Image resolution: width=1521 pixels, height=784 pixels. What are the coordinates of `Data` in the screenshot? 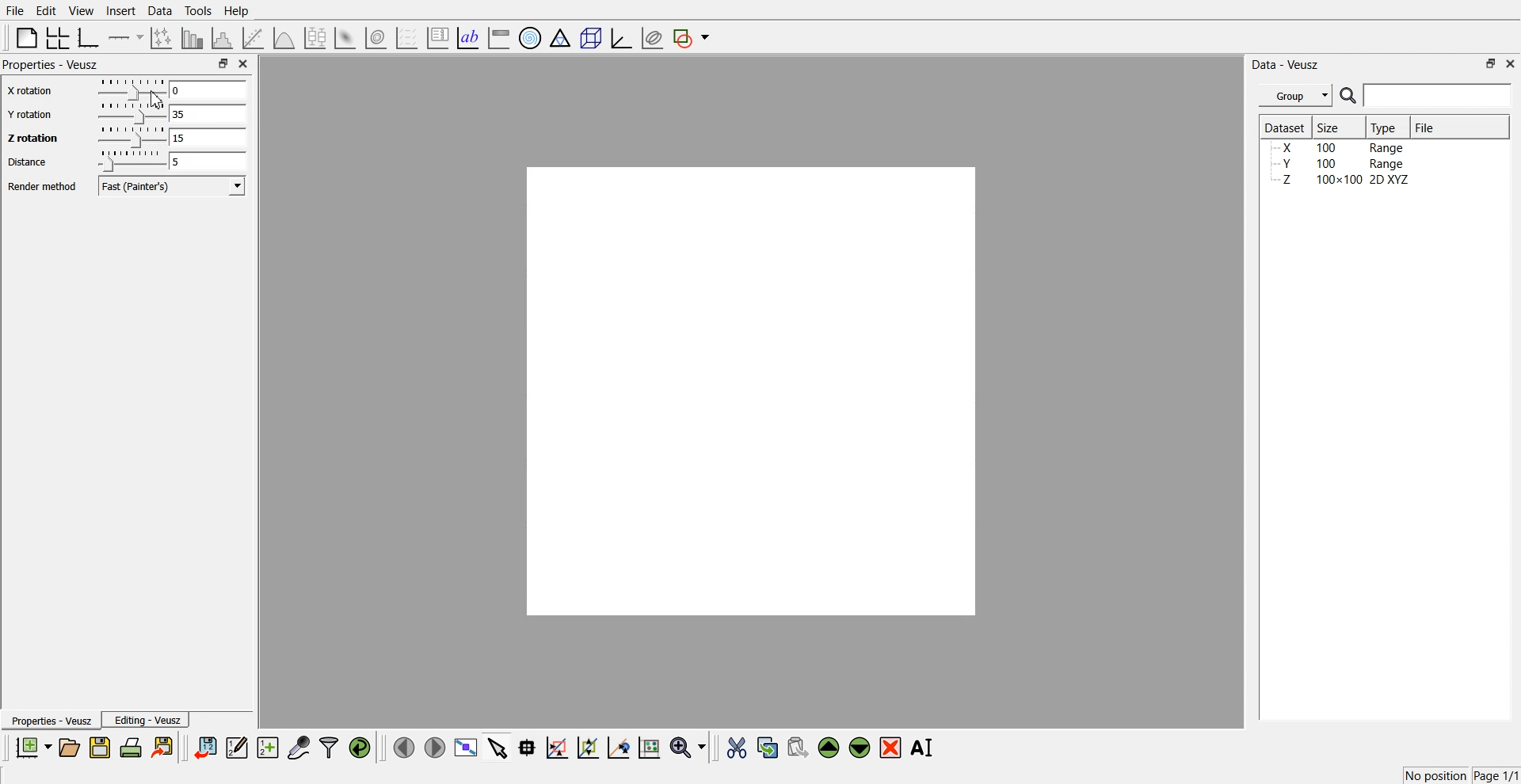 It's located at (162, 11).